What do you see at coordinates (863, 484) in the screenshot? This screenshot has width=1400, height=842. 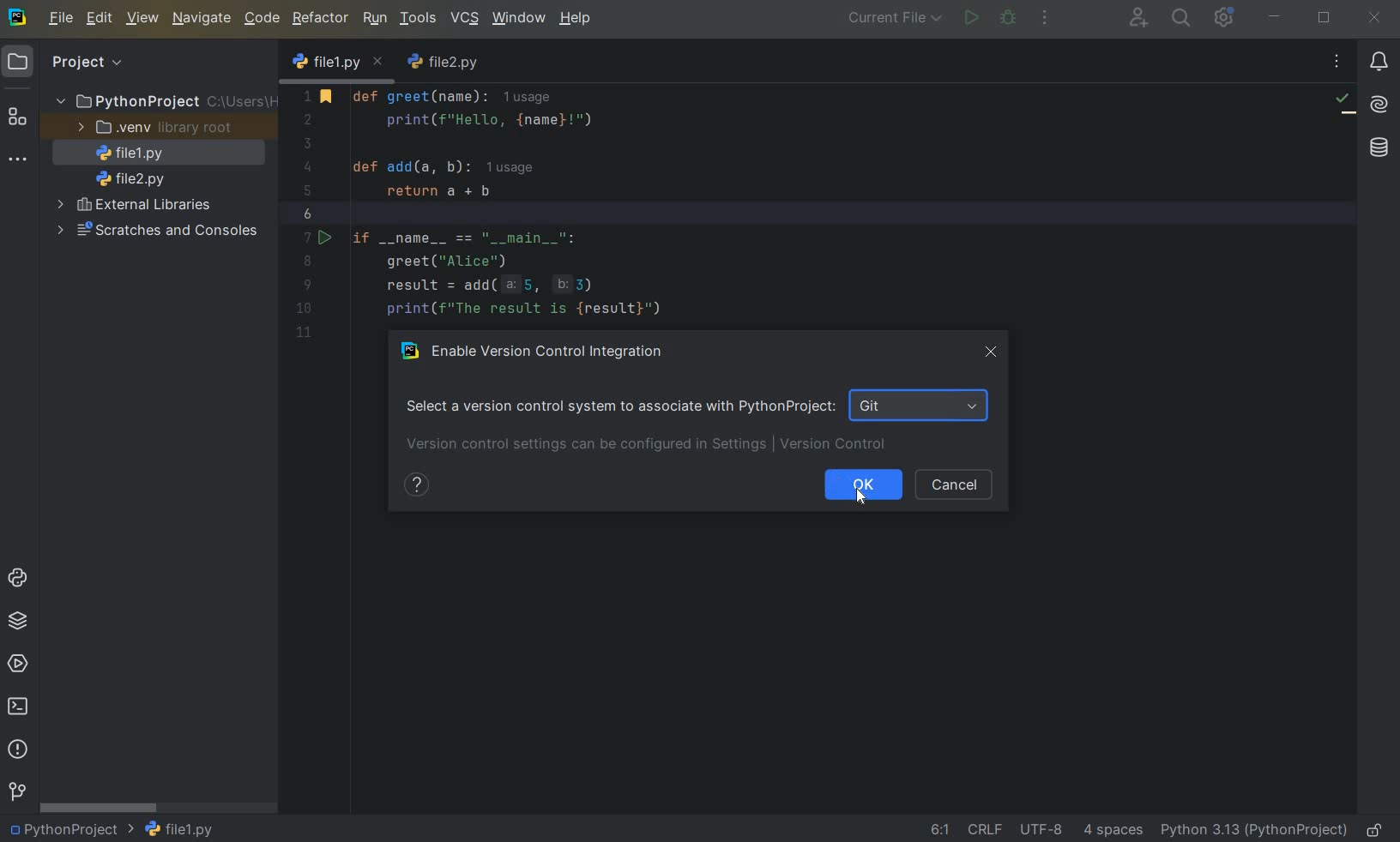 I see `ok` at bounding box center [863, 484].